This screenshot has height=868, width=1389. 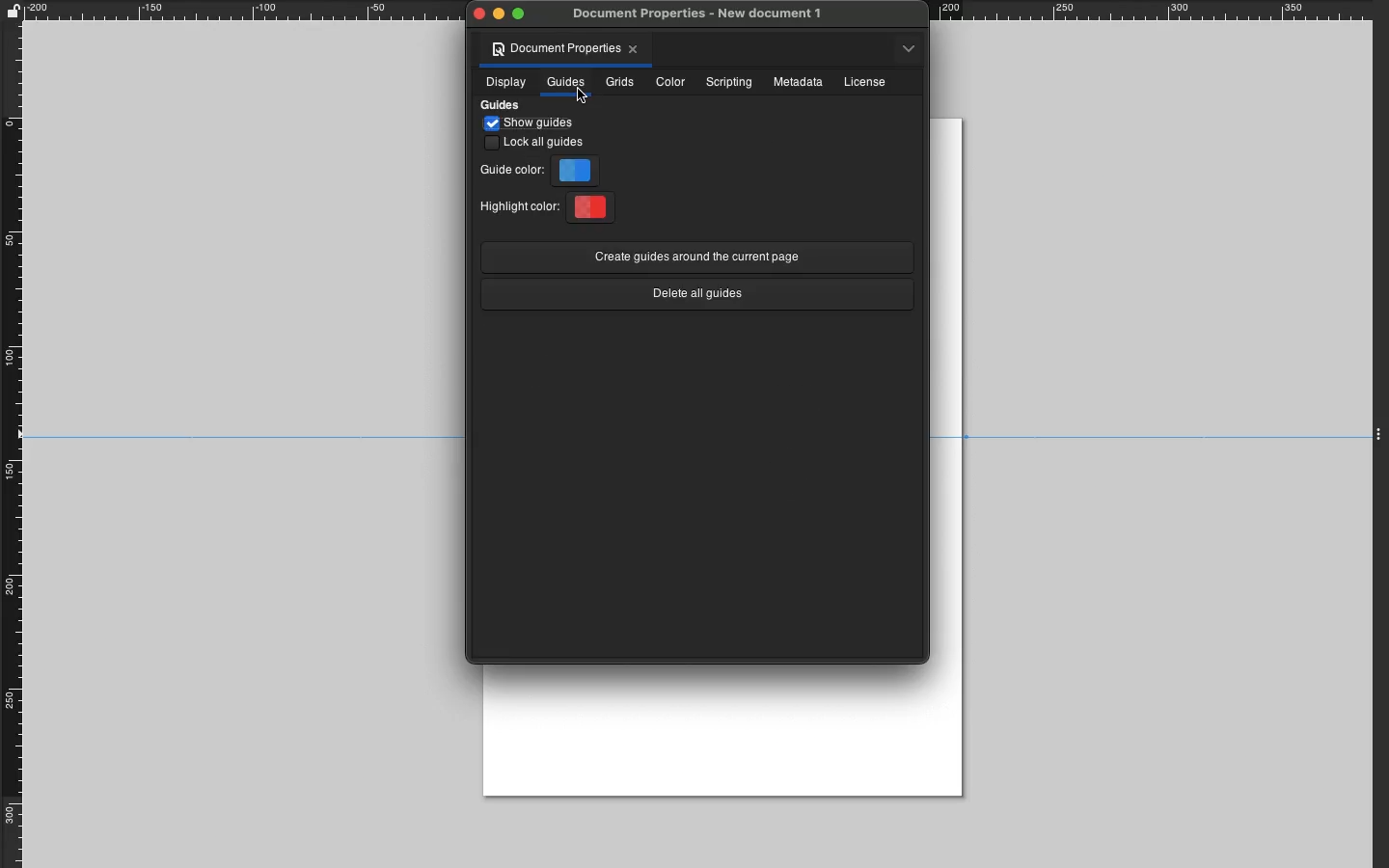 What do you see at coordinates (519, 14) in the screenshot?
I see `Maximize` at bounding box center [519, 14].